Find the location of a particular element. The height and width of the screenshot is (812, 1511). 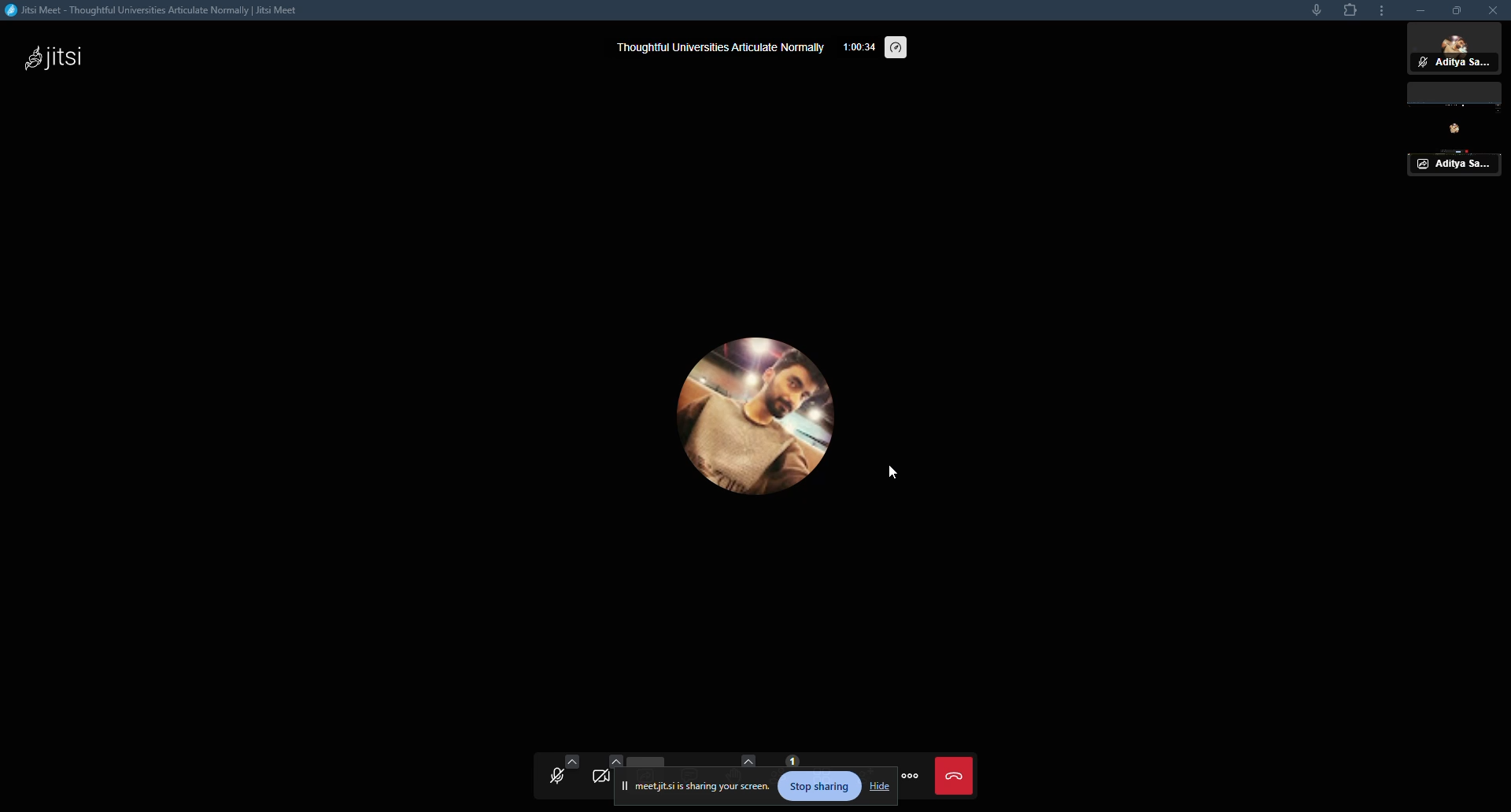

performance settings is located at coordinates (898, 47).